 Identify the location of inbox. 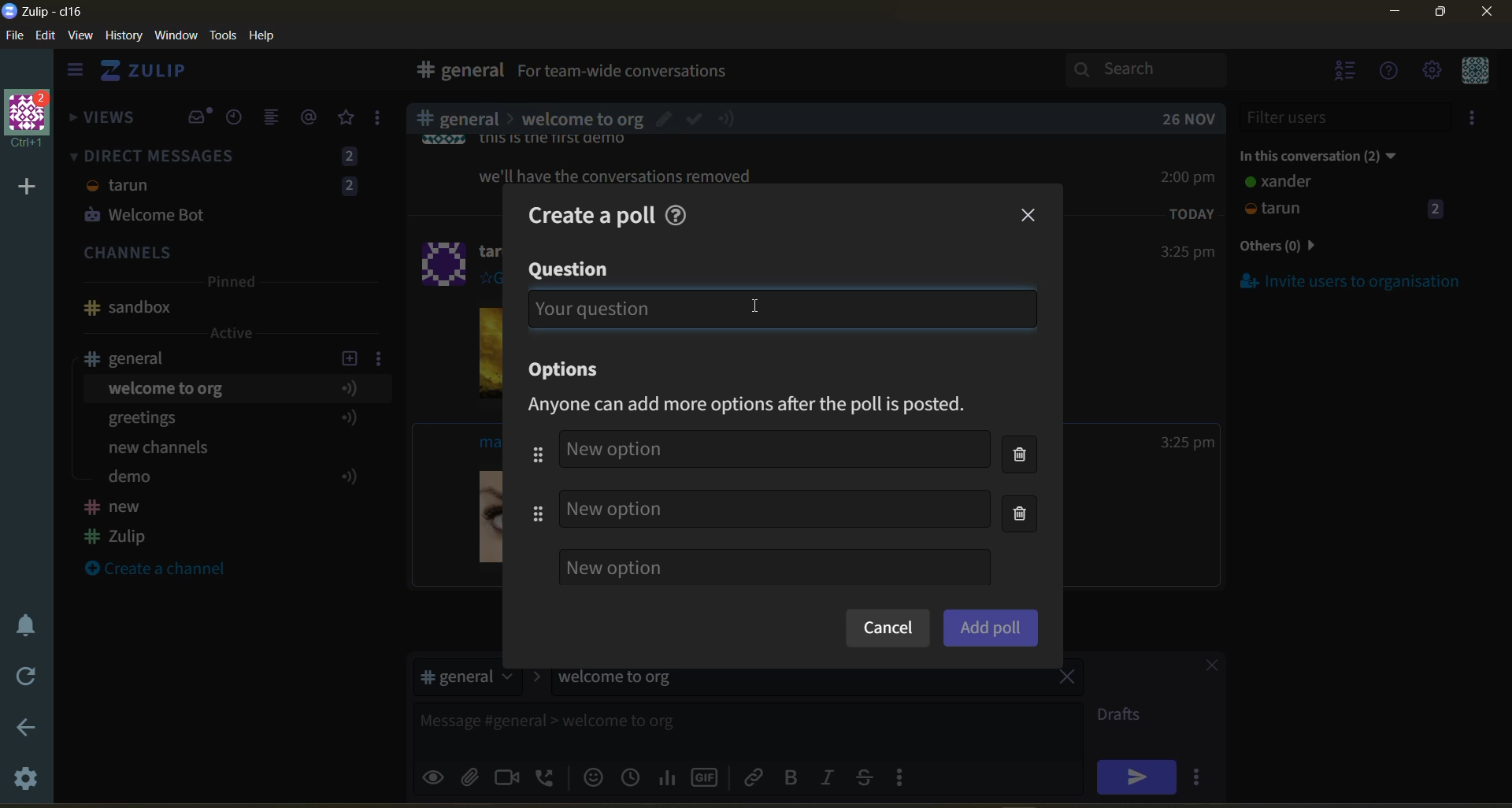
(456, 72).